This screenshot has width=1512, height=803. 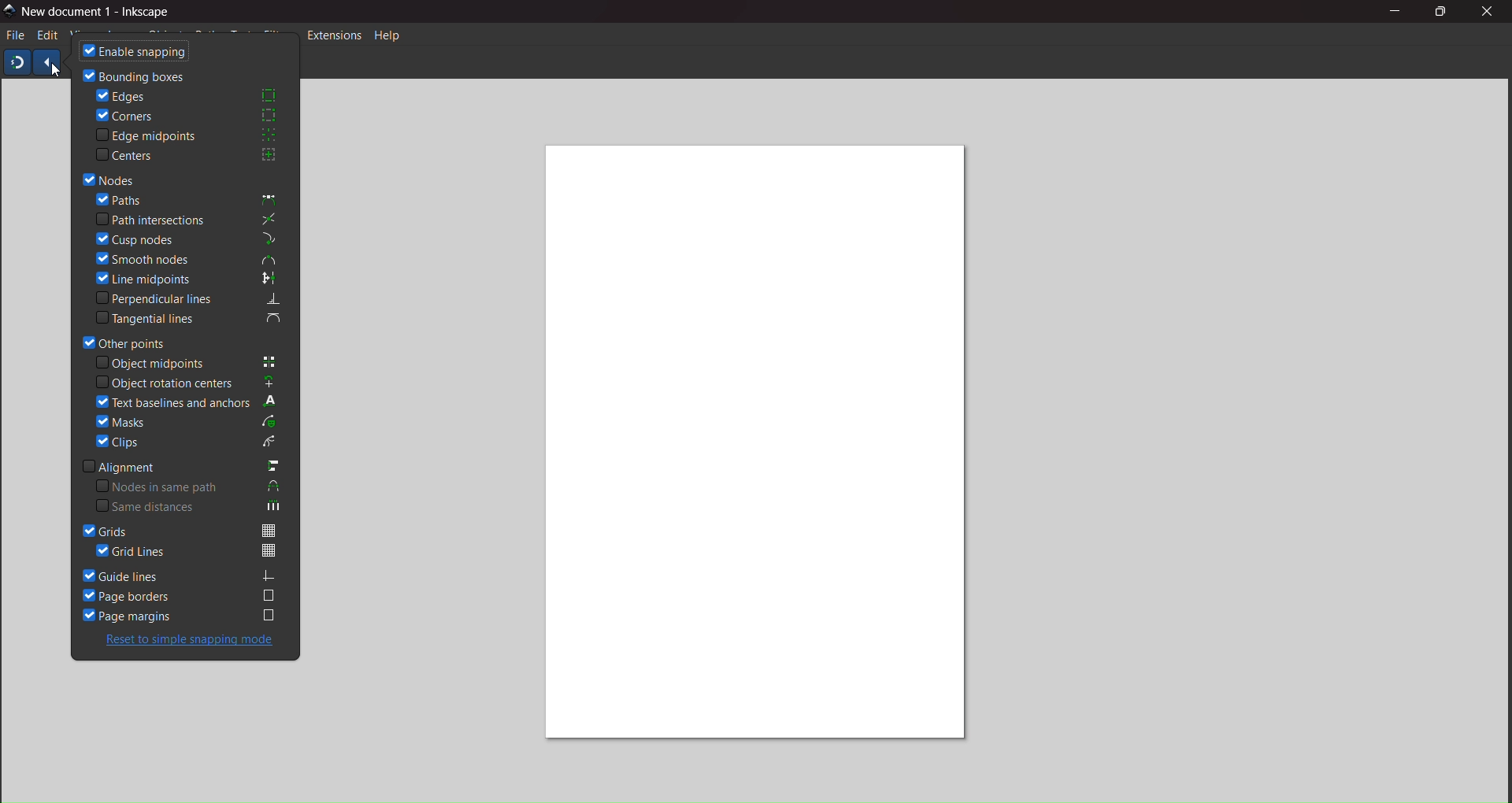 What do you see at coordinates (192, 506) in the screenshot?
I see `same distance` at bounding box center [192, 506].